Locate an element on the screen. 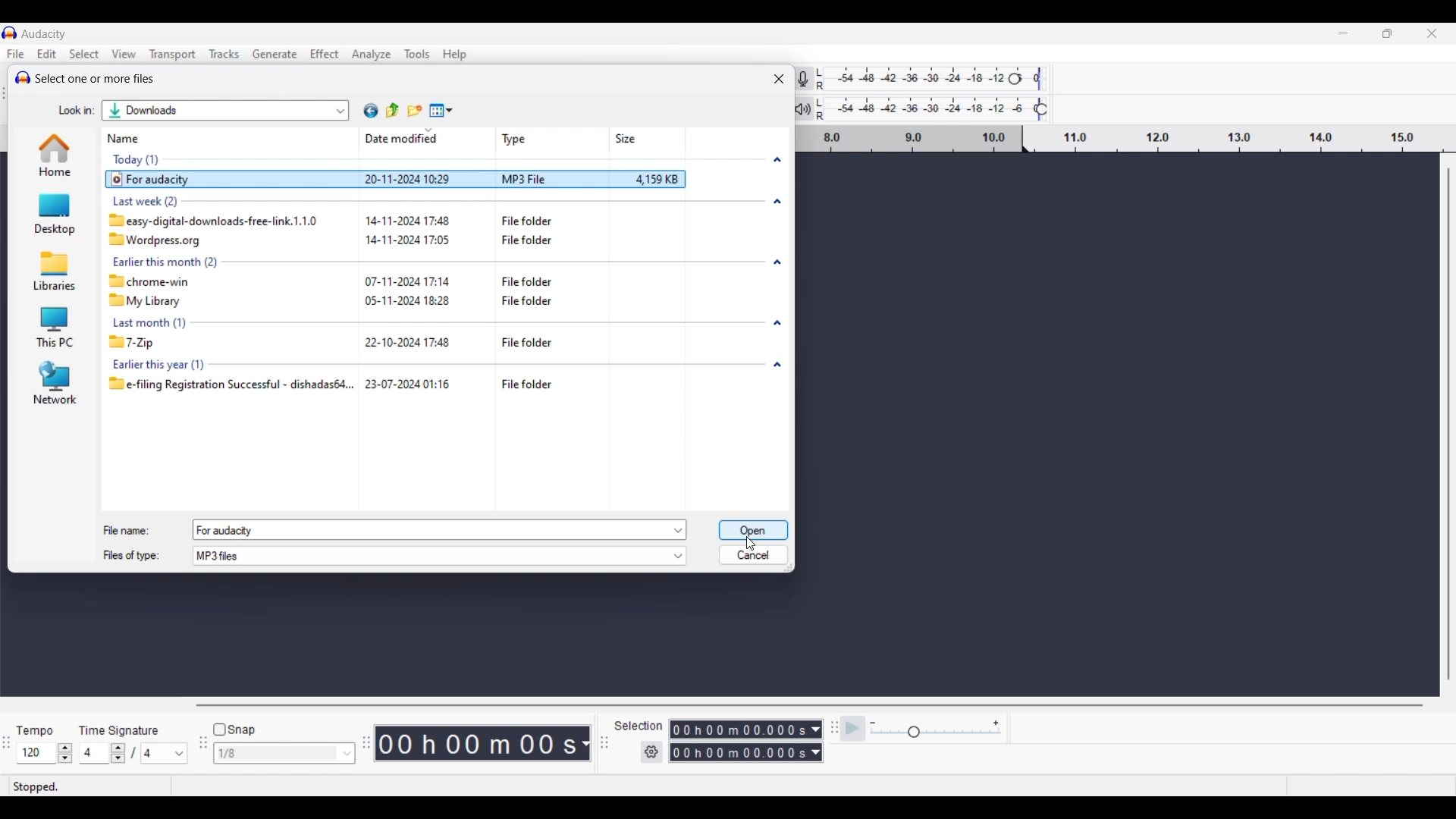  1/8 (Type in snap) is located at coordinates (274, 755).